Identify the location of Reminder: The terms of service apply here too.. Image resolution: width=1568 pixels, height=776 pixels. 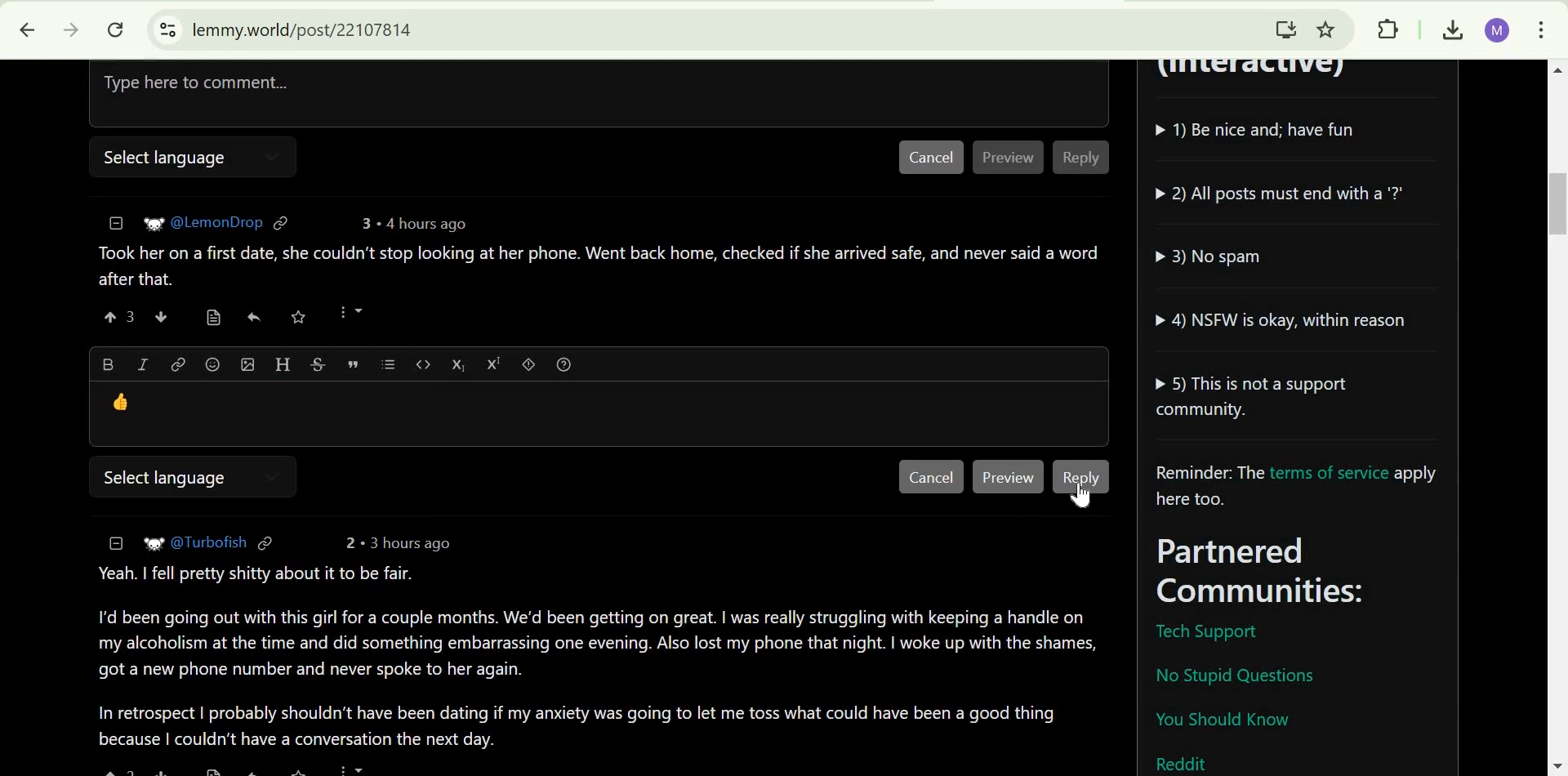
(1302, 488).